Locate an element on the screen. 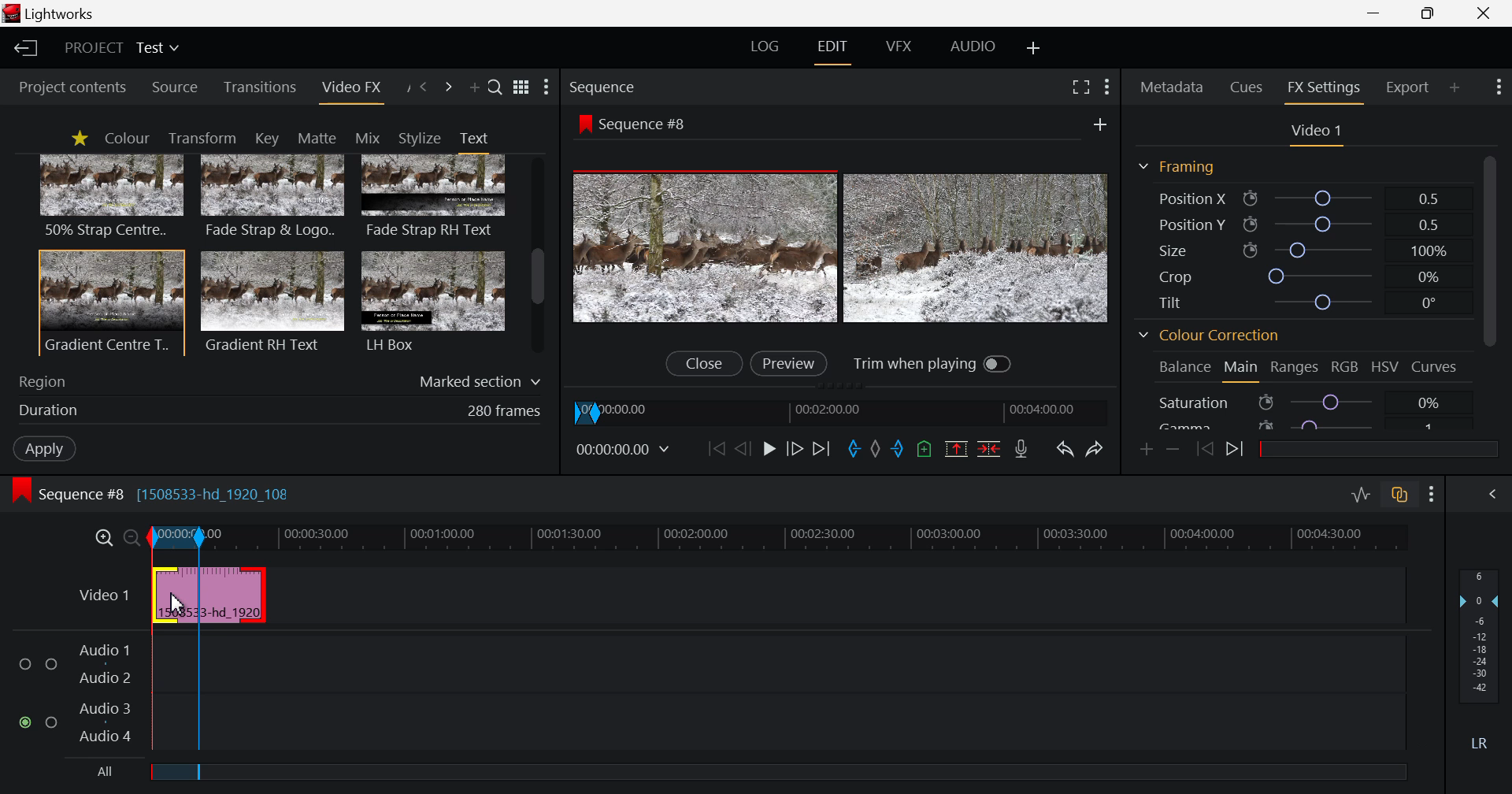 The width and height of the screenshot is (1512, 794). Lightworks is located at coordinates (57, 14).